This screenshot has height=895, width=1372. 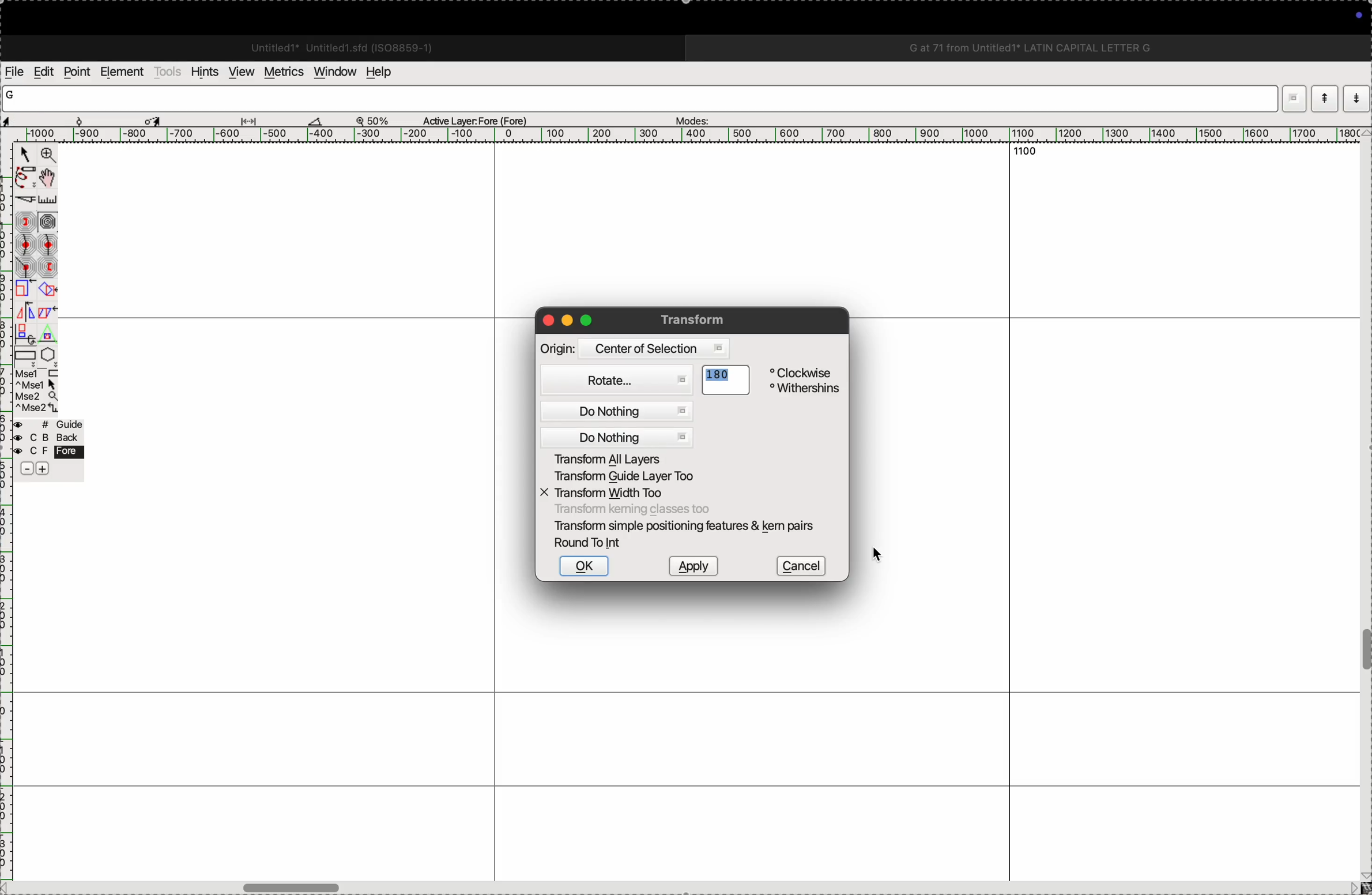 I want to click on Clockwise, so click(x=805, y=373).